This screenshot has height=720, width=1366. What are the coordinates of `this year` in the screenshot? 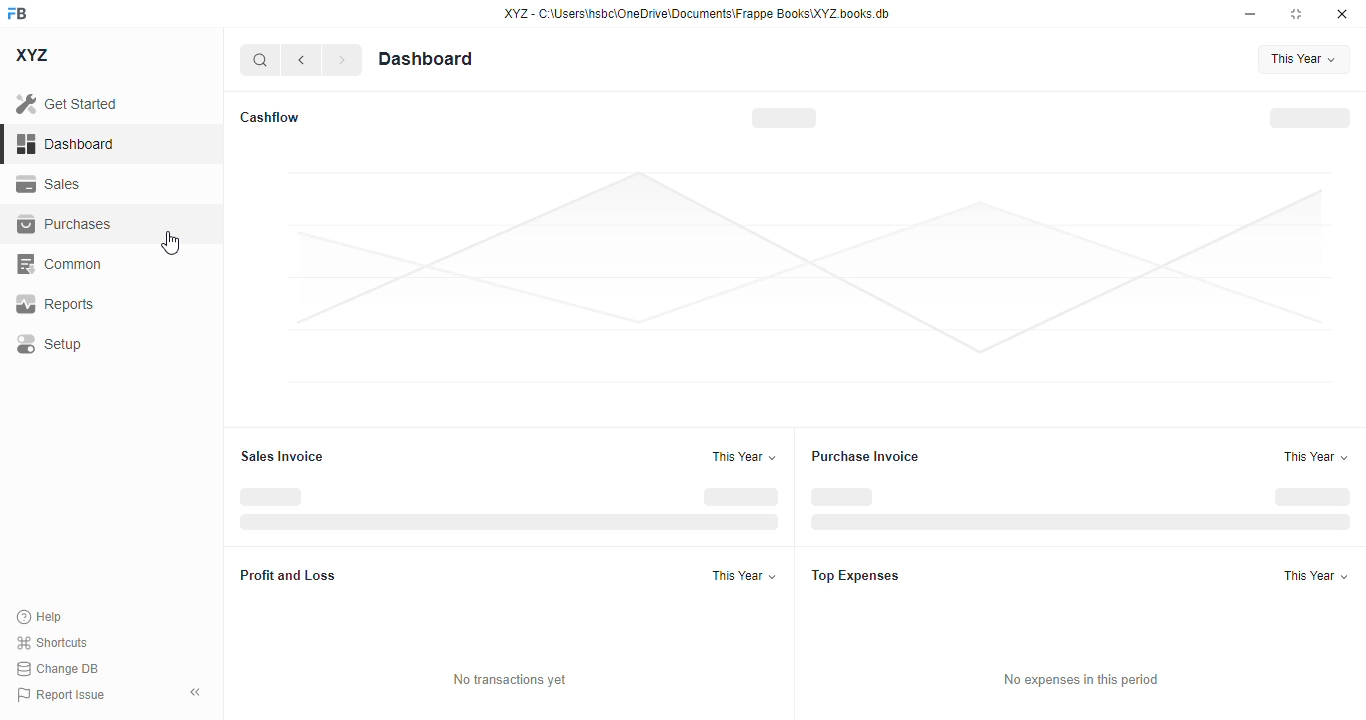 It's located at (744, 456).